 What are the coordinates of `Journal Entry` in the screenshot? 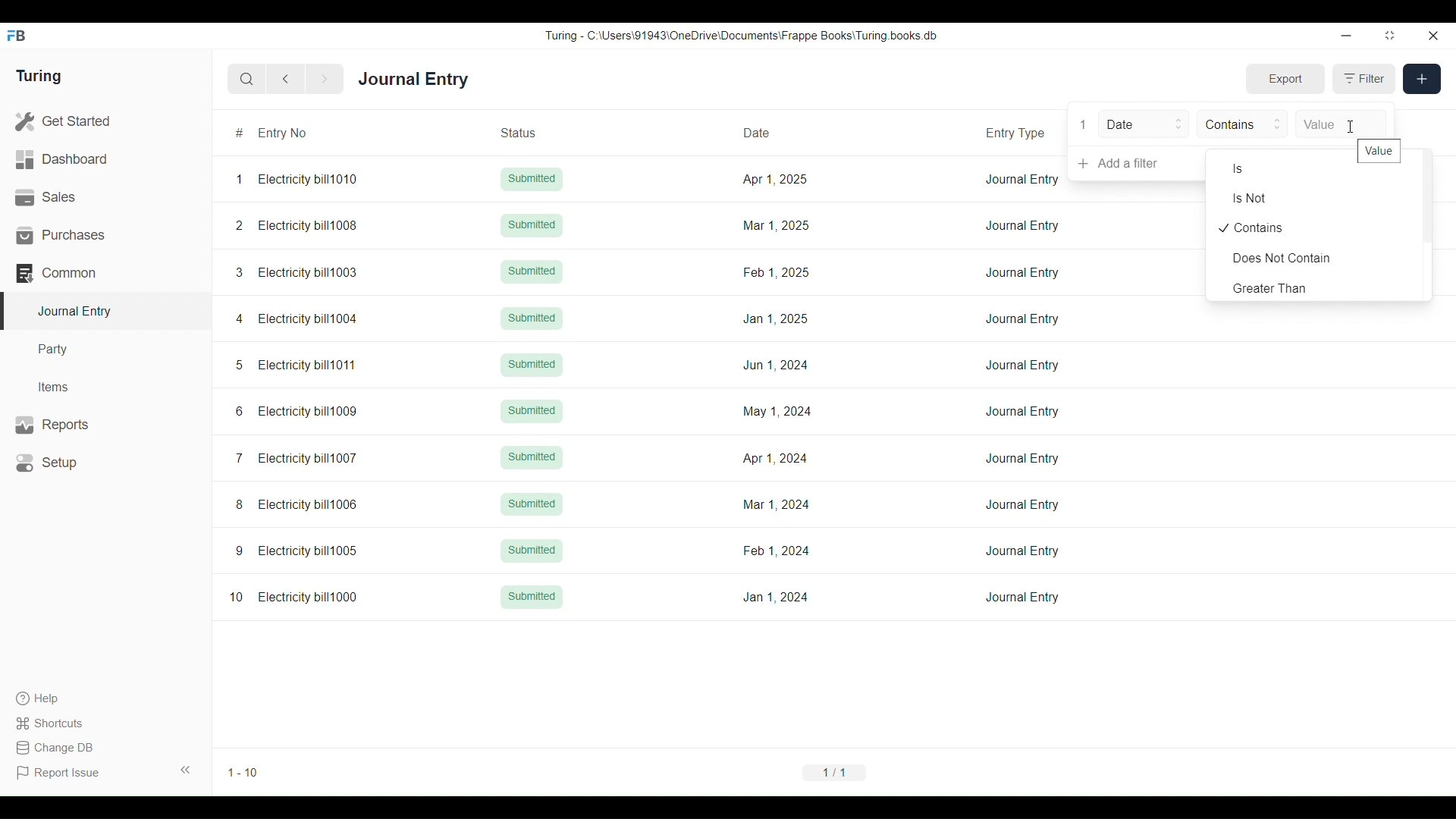 It's located at (1022, 504).